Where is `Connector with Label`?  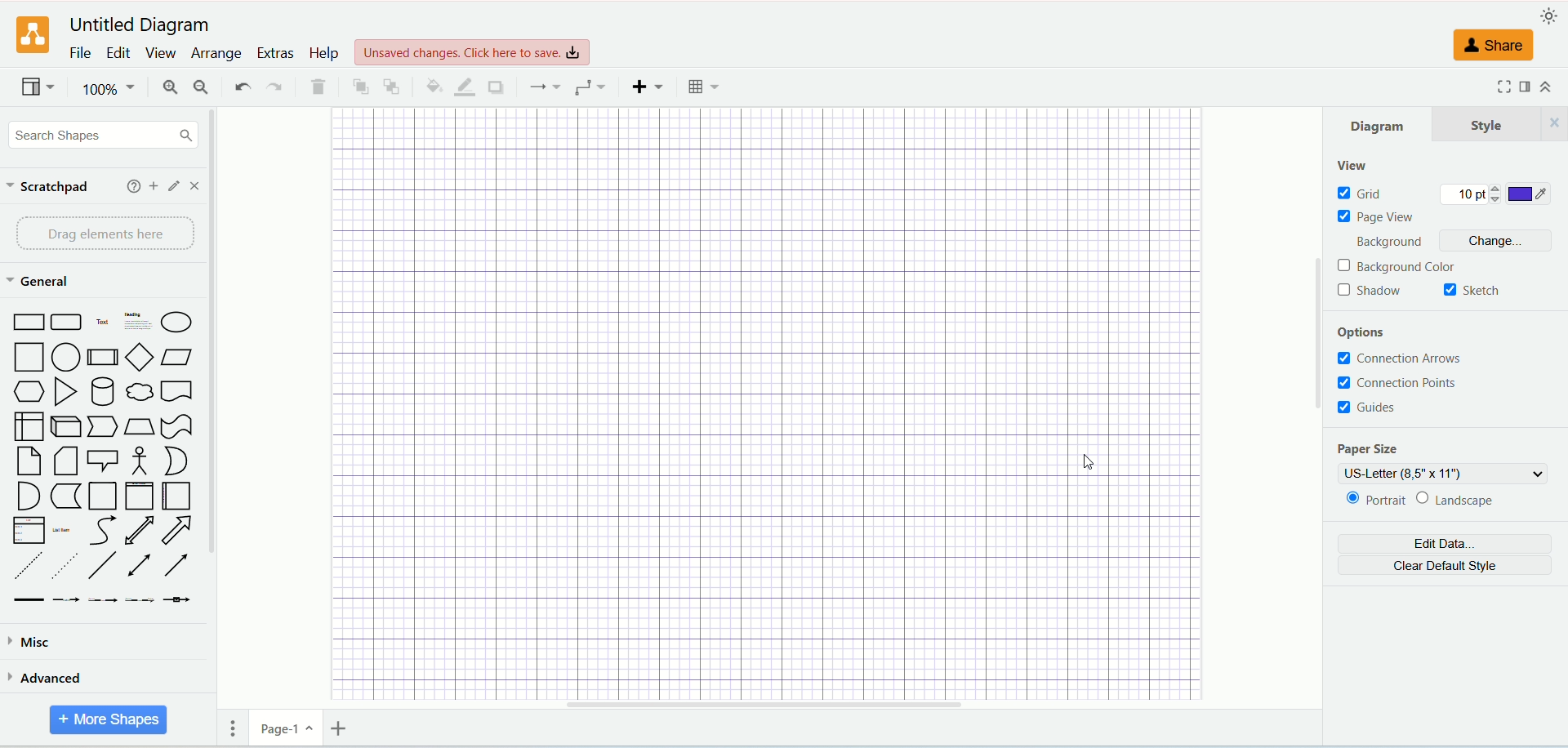
Connector with Label is located at coordinates (65, 601).